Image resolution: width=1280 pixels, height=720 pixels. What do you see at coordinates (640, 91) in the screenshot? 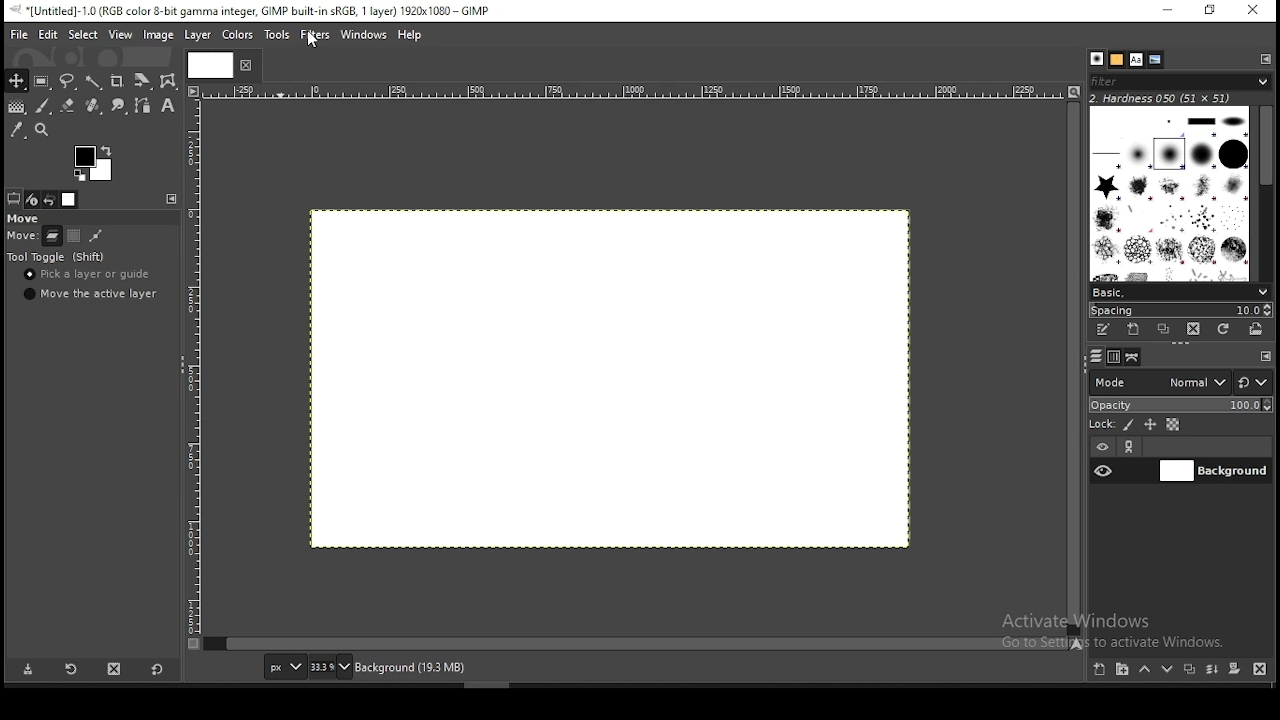
I see `horizontal scale` at bounding box center [640, 91].